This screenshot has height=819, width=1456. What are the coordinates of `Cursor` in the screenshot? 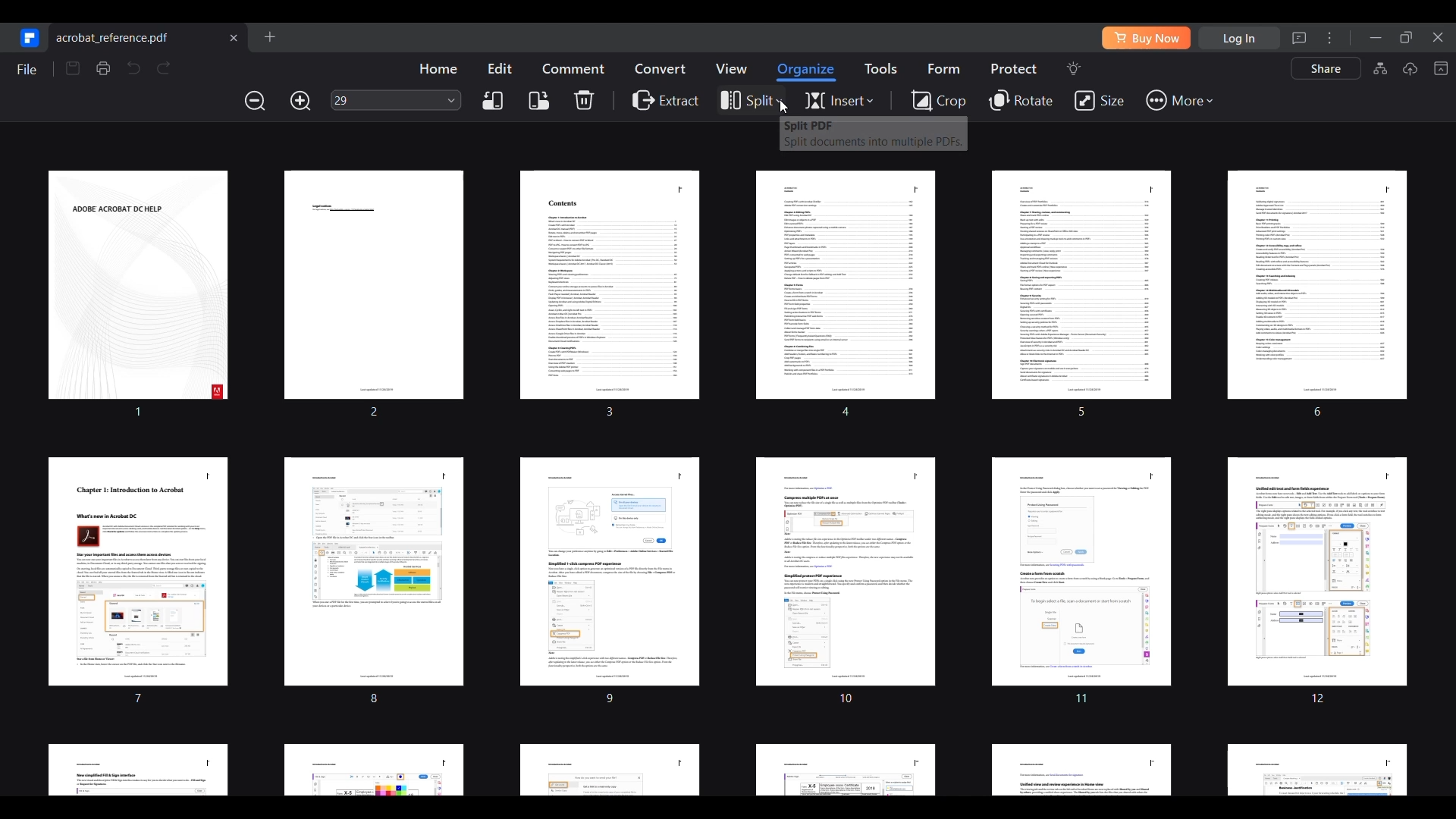 It's located at (783, 108).